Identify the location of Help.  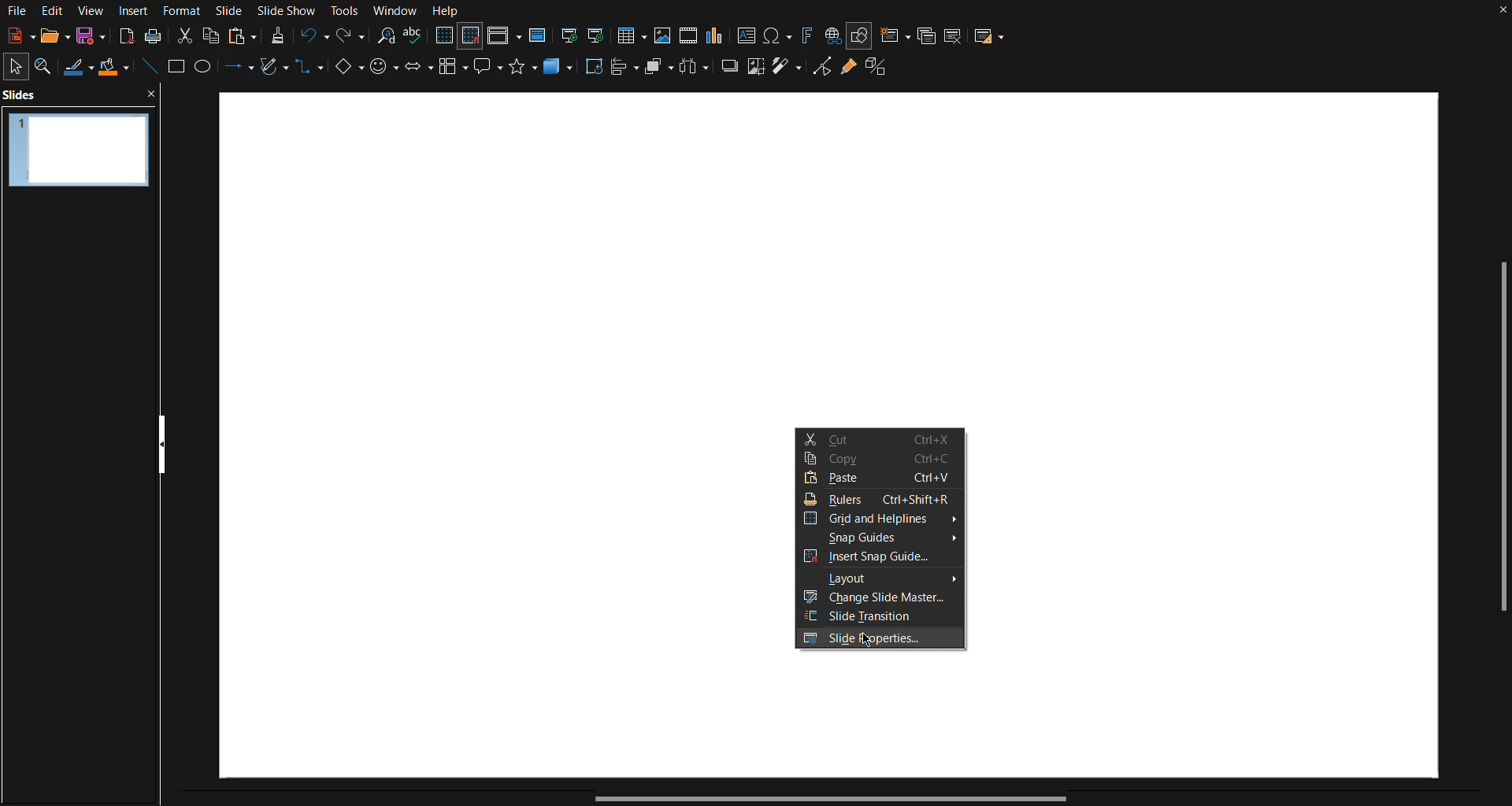
(447, 11).